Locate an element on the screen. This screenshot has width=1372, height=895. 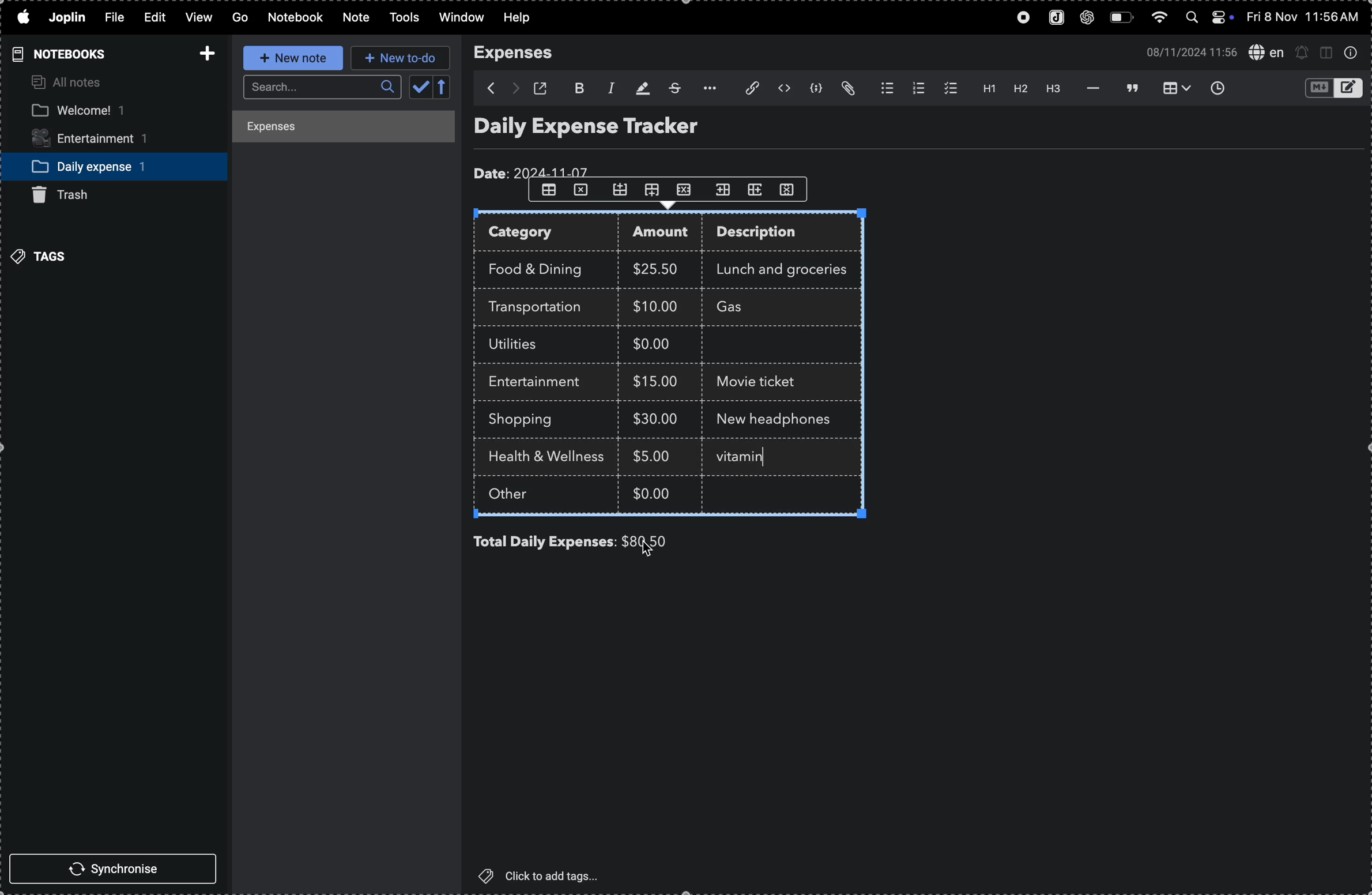
heading 1 is located at coordinates (984, 89).